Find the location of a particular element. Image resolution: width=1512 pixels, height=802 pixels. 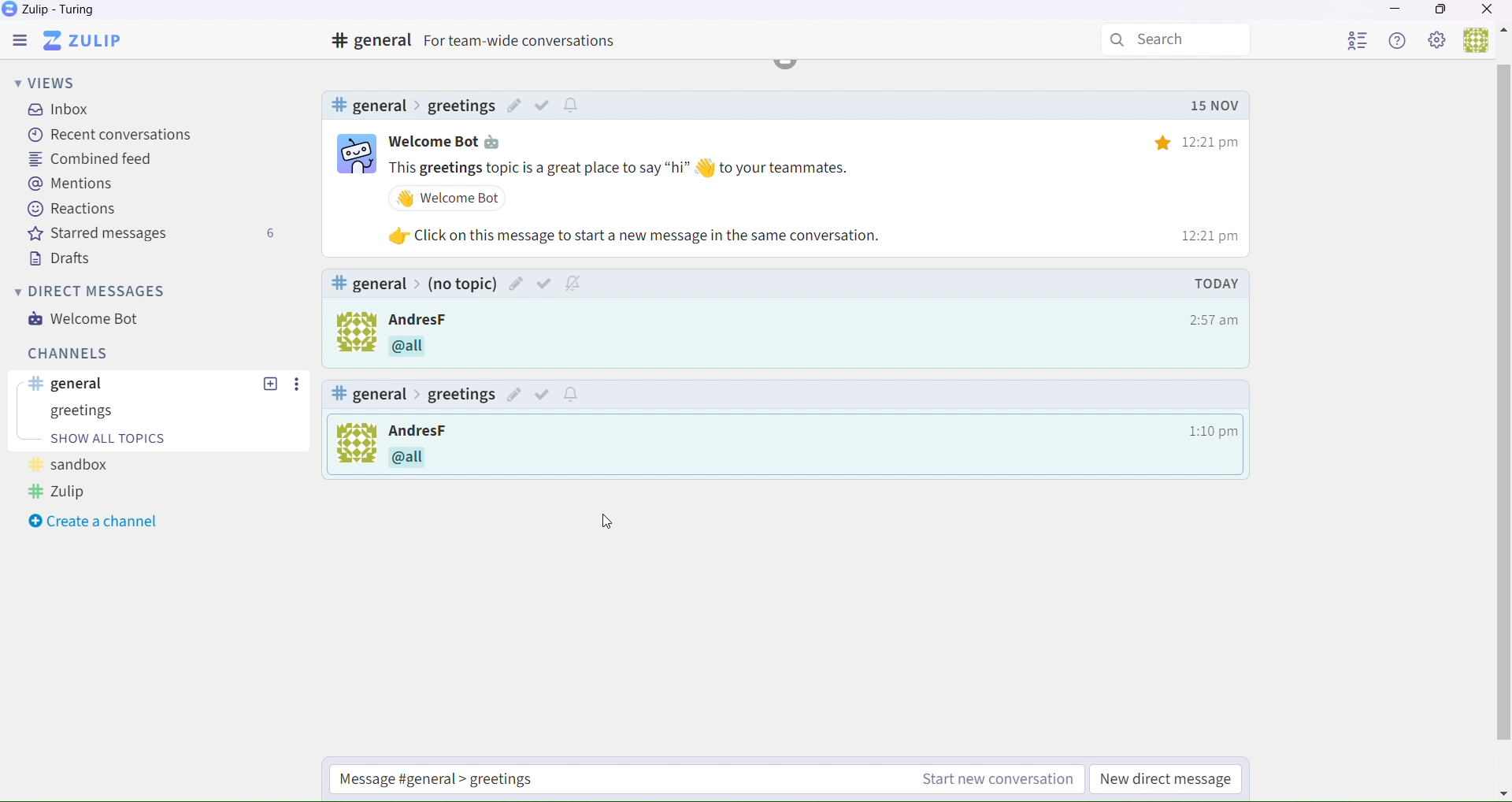

12:21 pm is located at coordinates (1203, 425).